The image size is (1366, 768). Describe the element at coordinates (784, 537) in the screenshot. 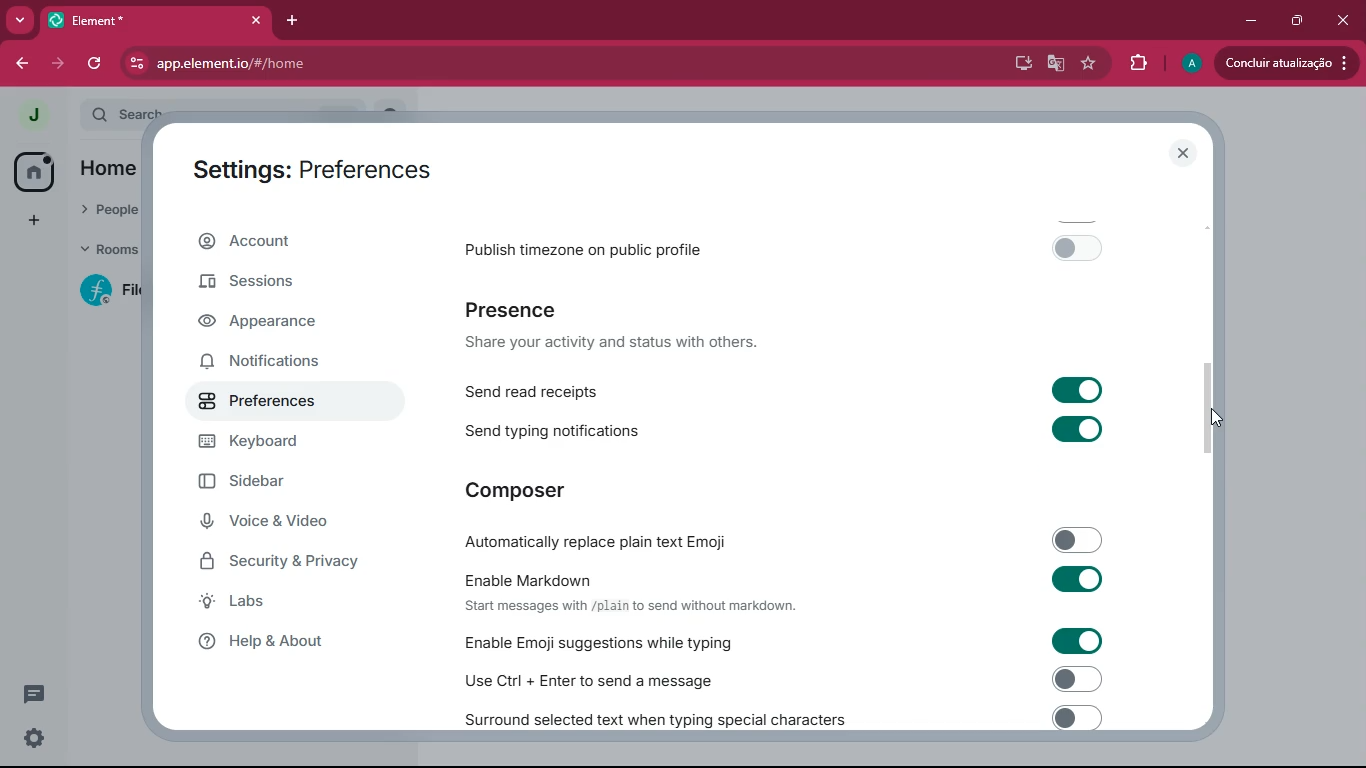

I see `automatically replace` at that location.